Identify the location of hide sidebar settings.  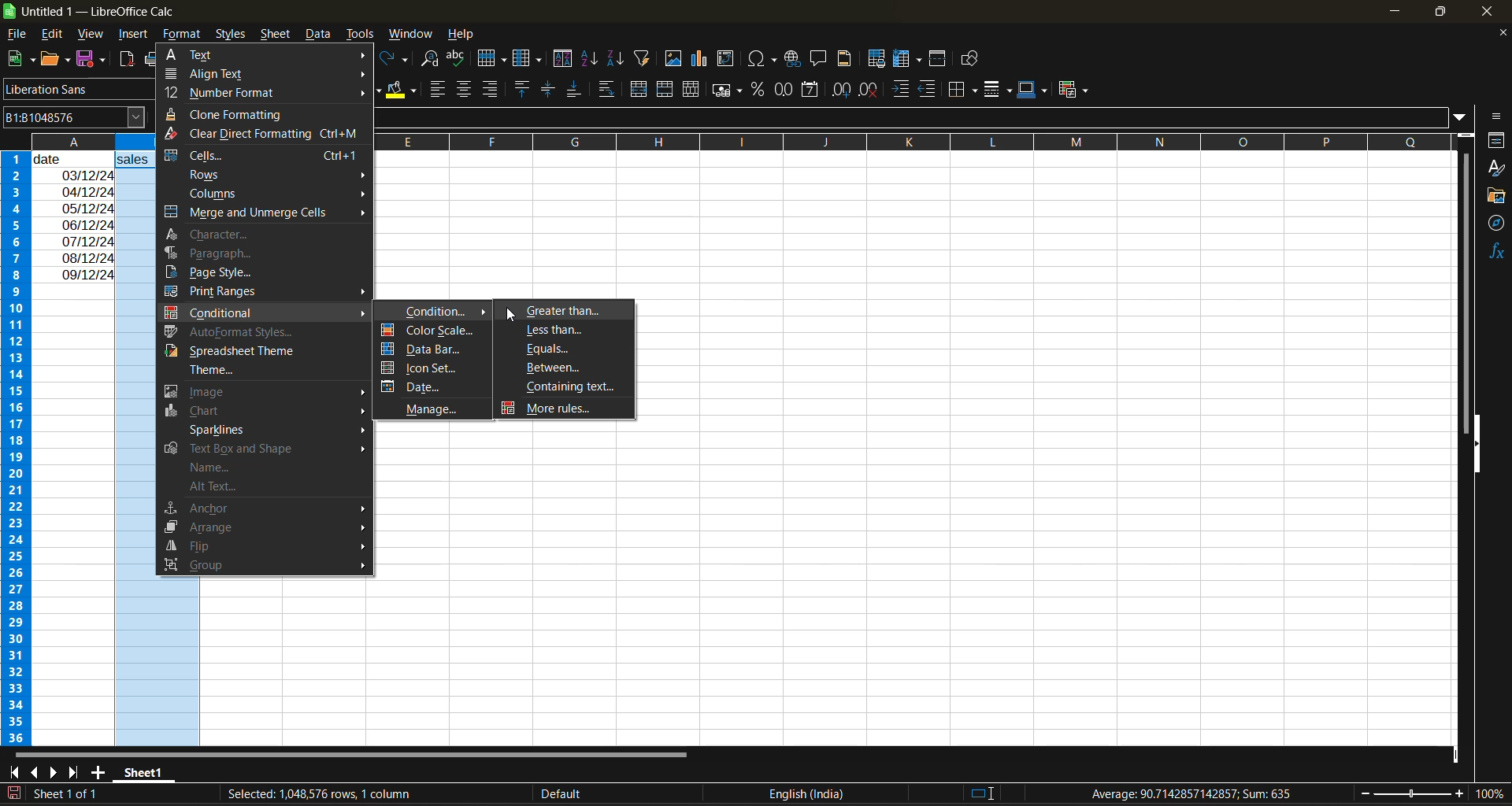
(1498, 117).